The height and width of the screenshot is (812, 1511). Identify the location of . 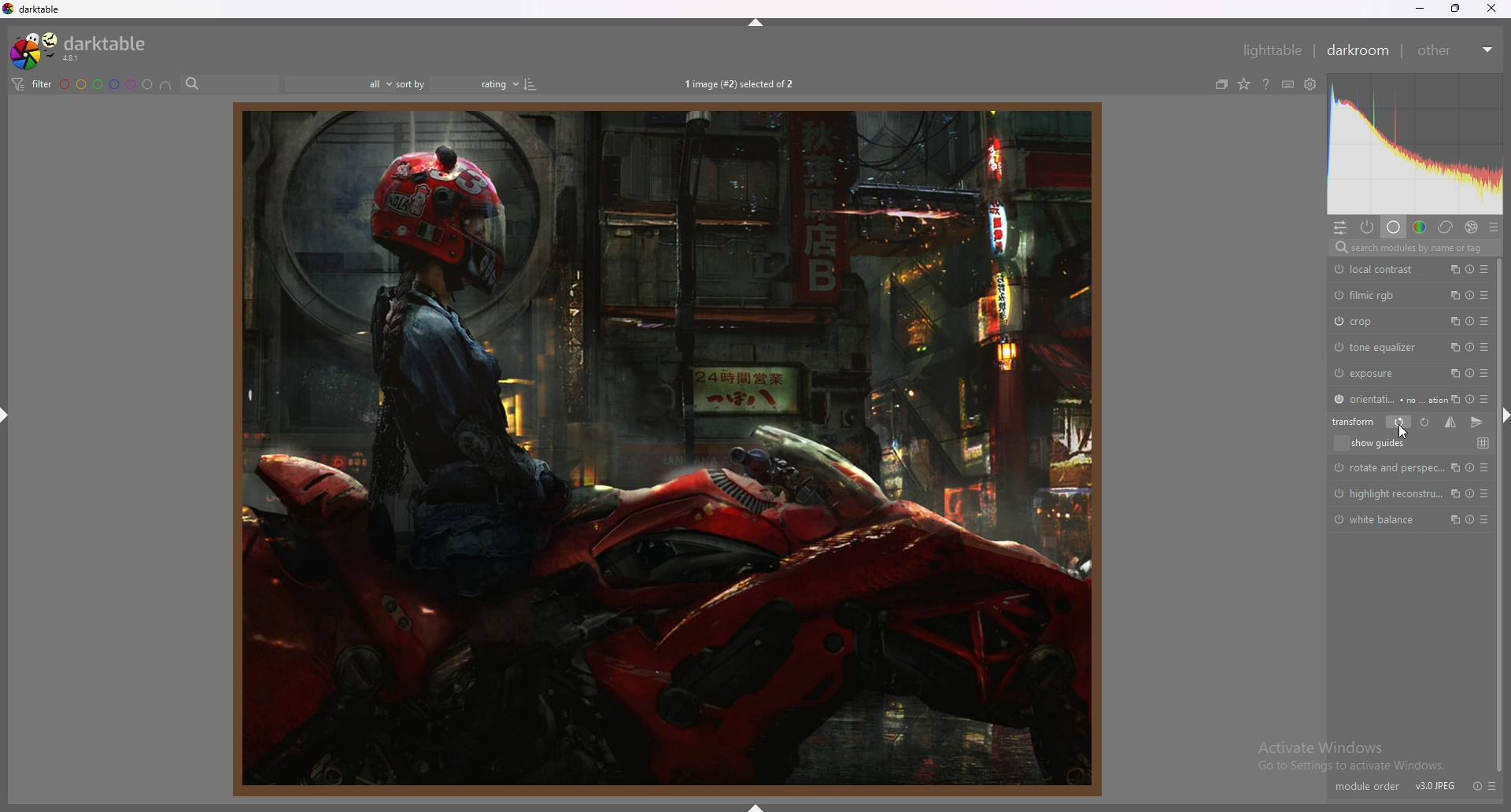
(8855, 3211).